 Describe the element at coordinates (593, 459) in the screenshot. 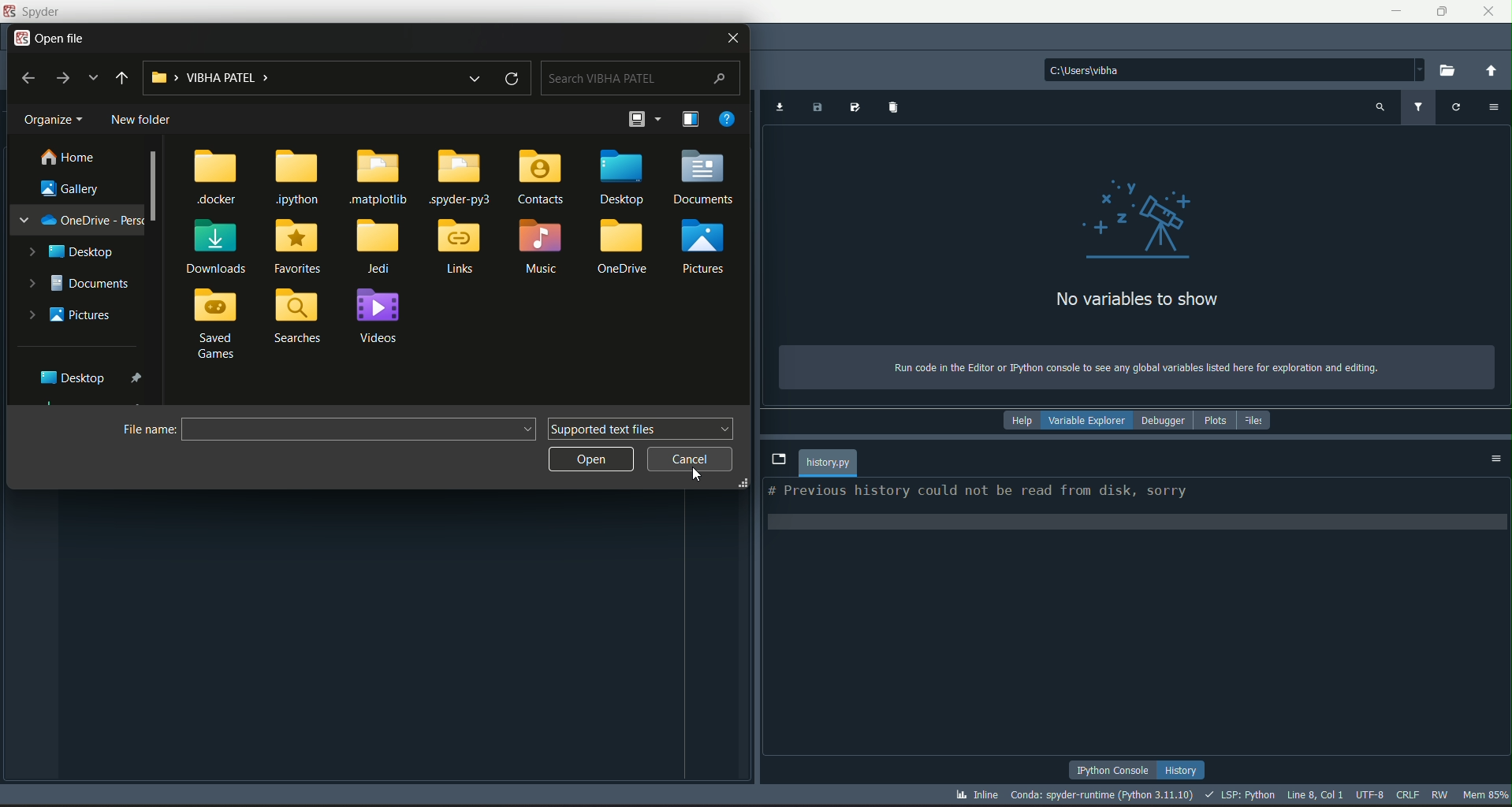

I see `open` at that location.